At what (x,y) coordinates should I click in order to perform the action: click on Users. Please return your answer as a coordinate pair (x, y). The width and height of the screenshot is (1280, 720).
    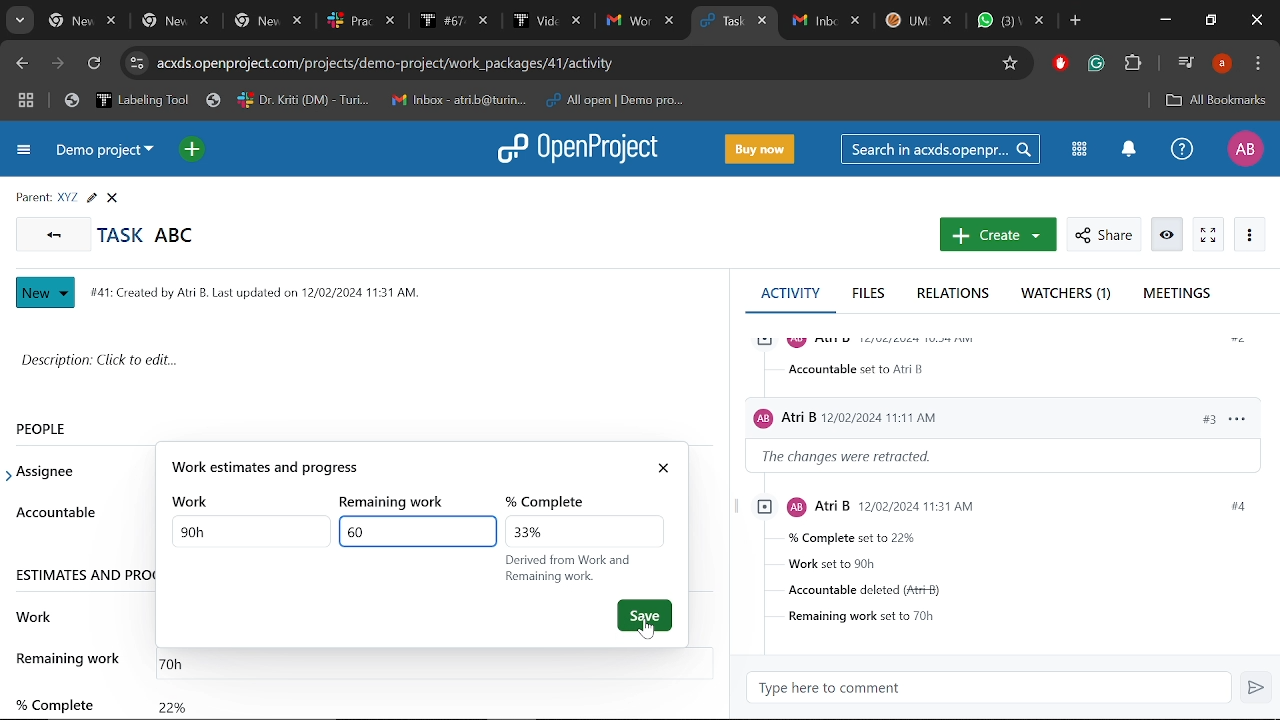
    Looking at the image, I should click on (942, 414).